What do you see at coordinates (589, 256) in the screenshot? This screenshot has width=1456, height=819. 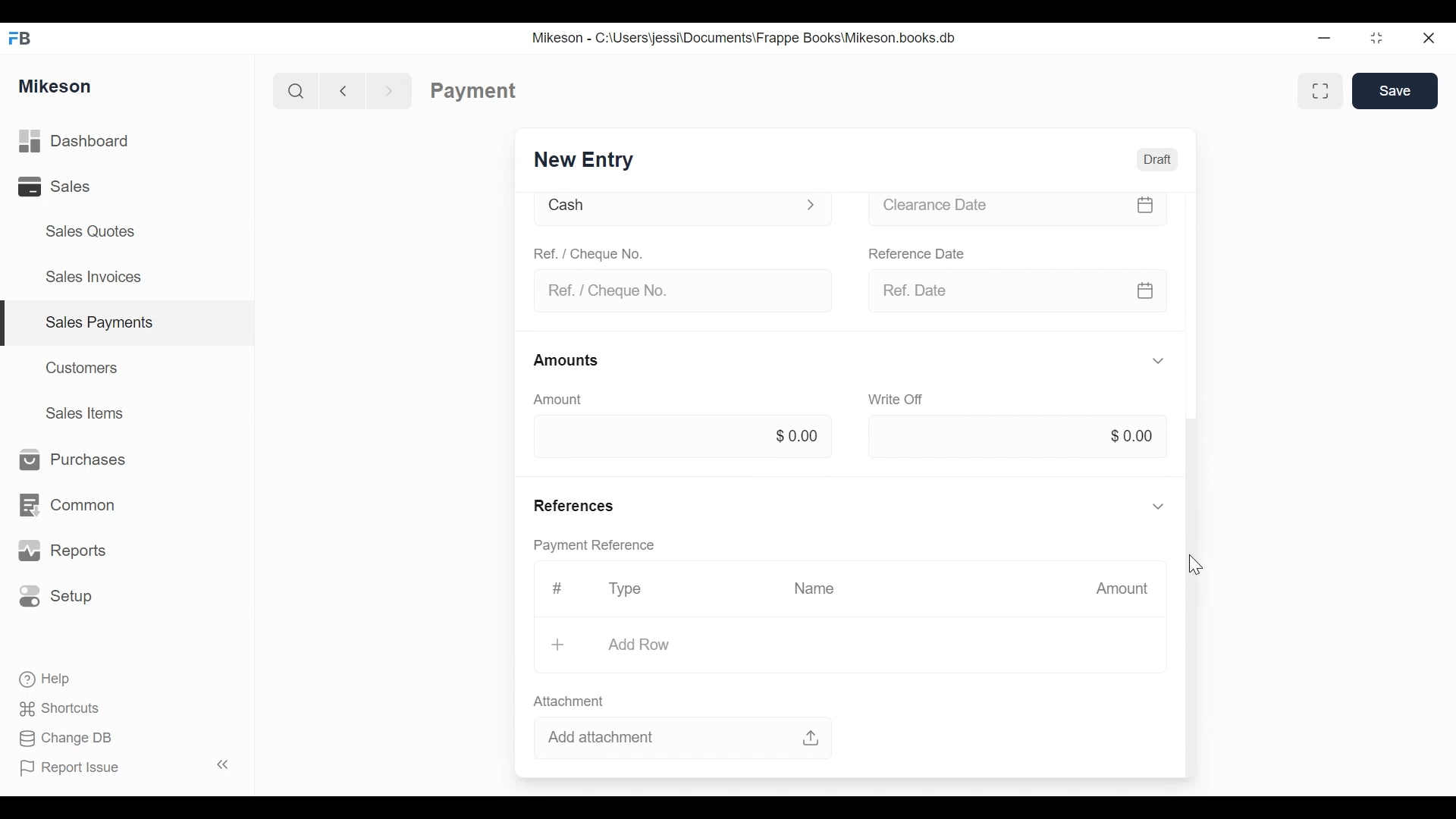 I see `Ref./cheque no.` at bounding box center [589, 256].